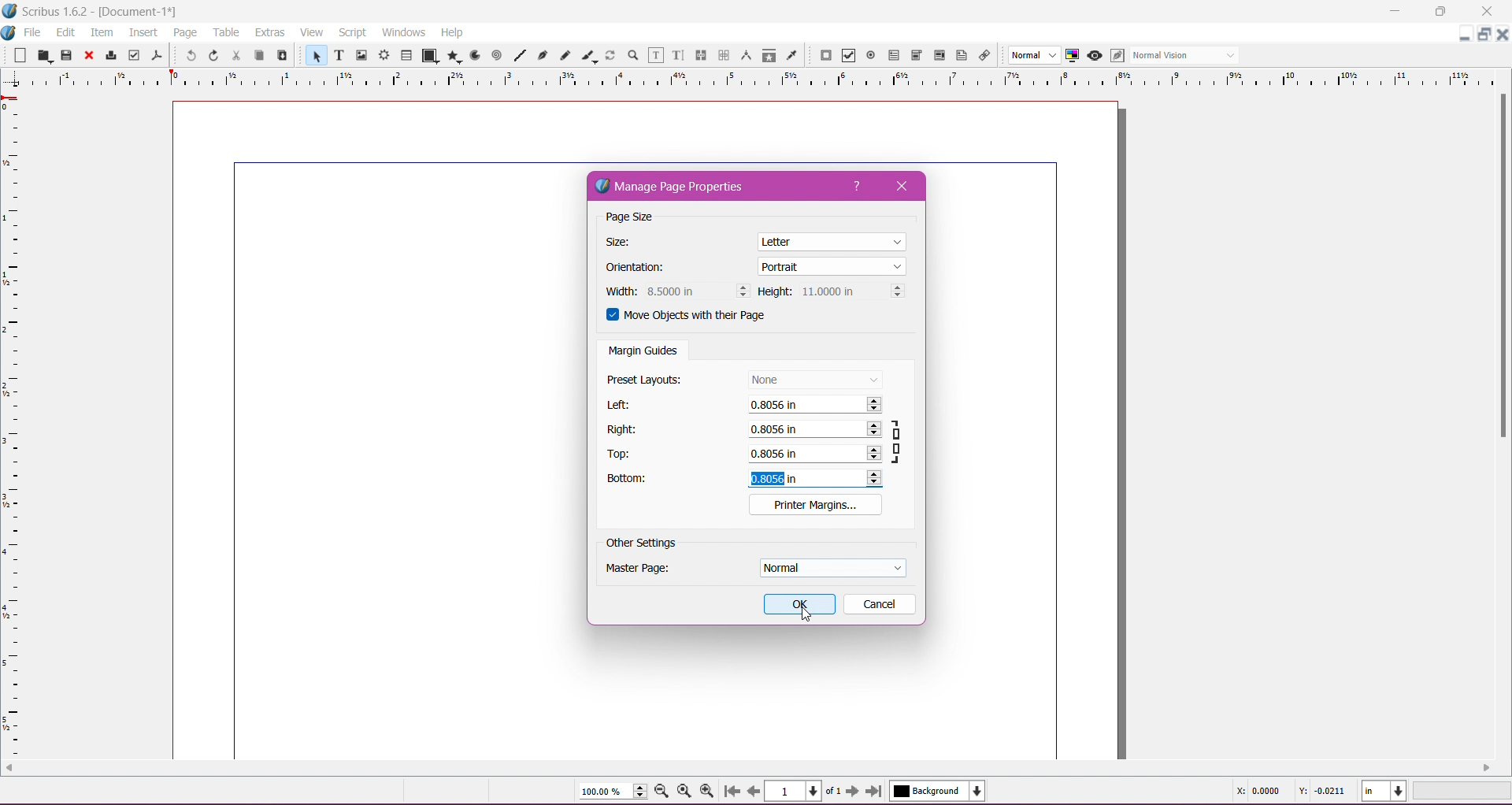  What do you see at coordinates (258, 54) in the screenshot?
I see `Copy` at bounding box center [258, 54].